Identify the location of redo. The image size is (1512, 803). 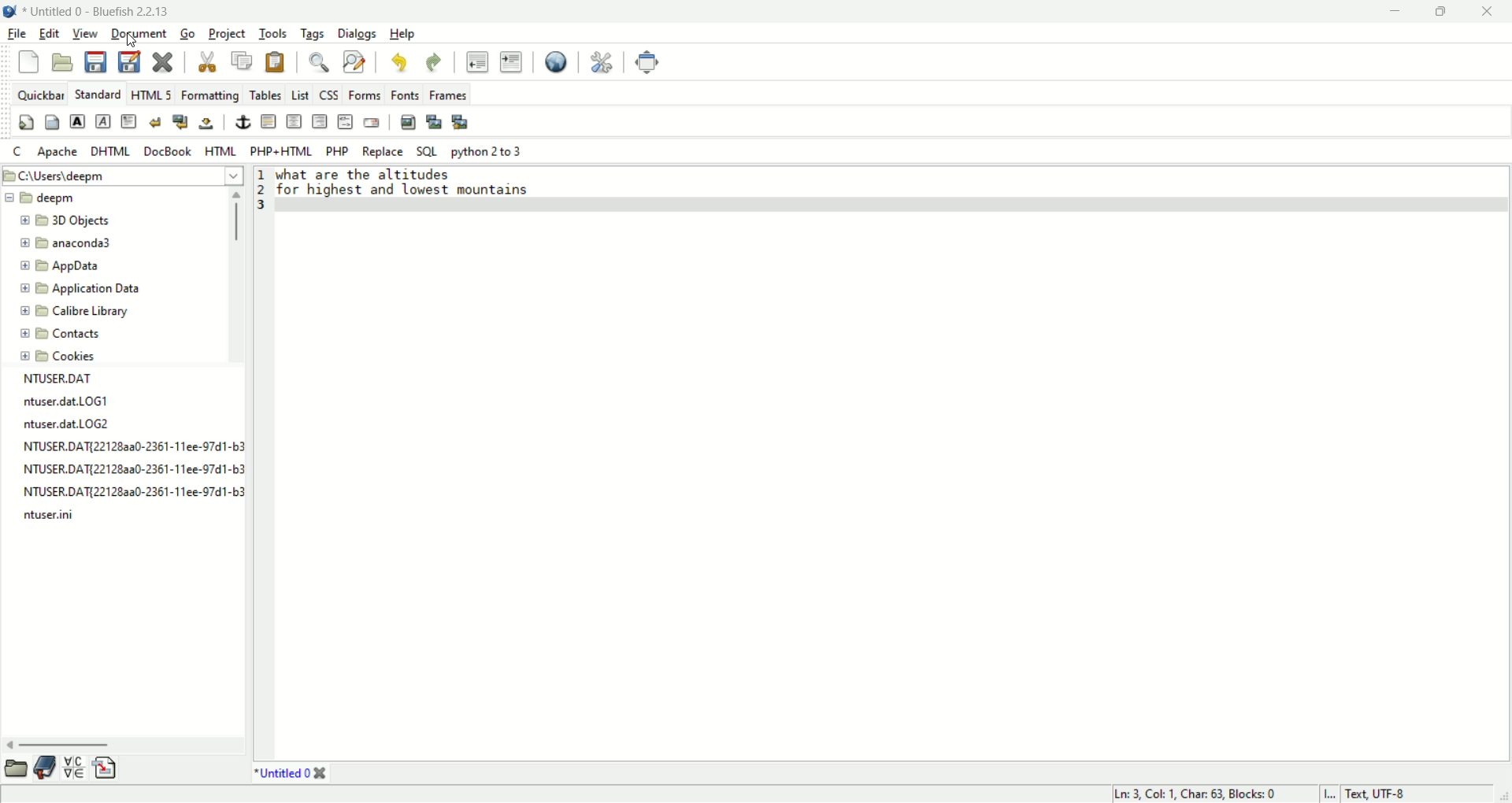
(435, 61).